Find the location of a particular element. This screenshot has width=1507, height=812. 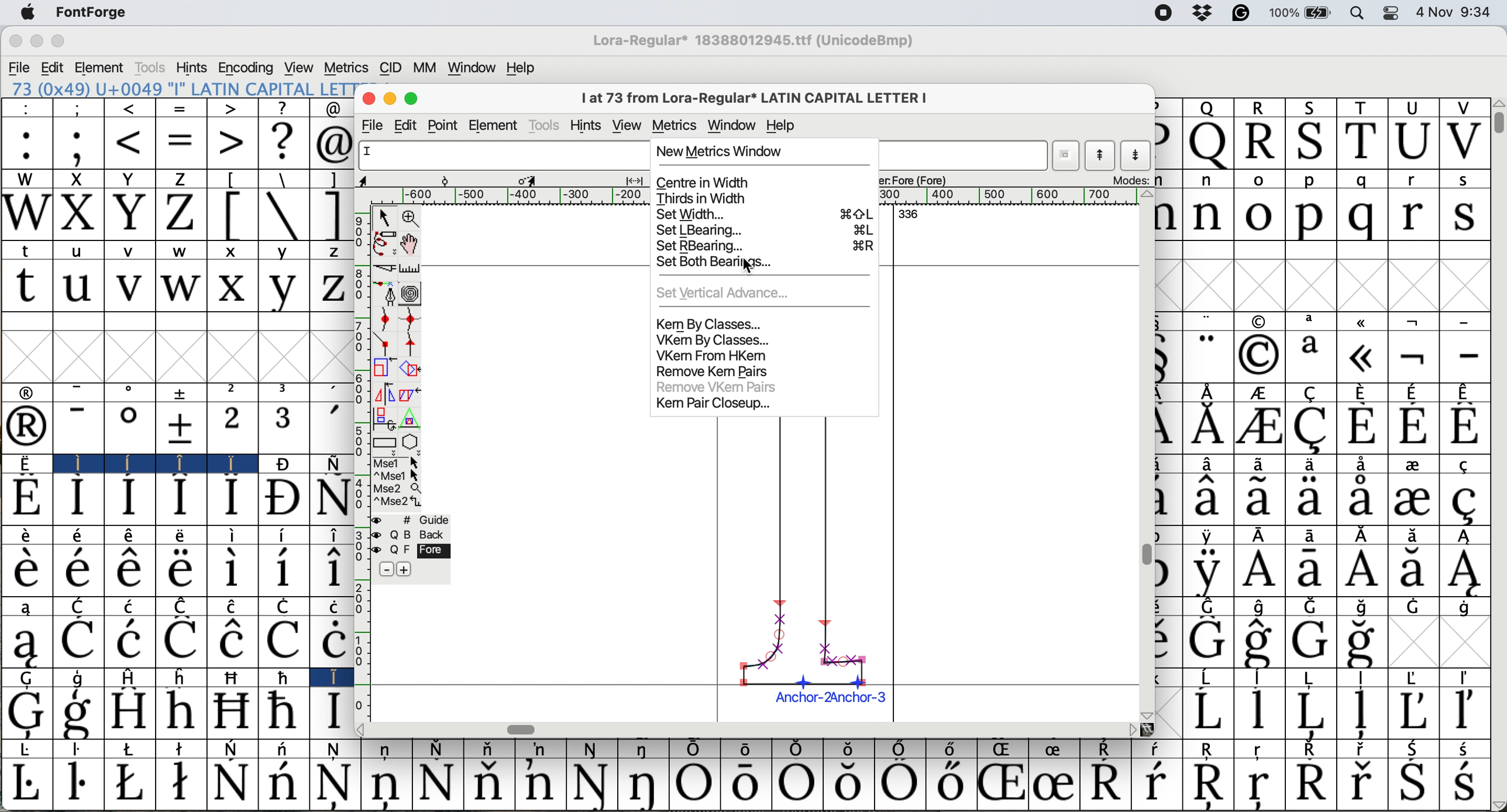

Symbol is located at coordinates (78, 642).